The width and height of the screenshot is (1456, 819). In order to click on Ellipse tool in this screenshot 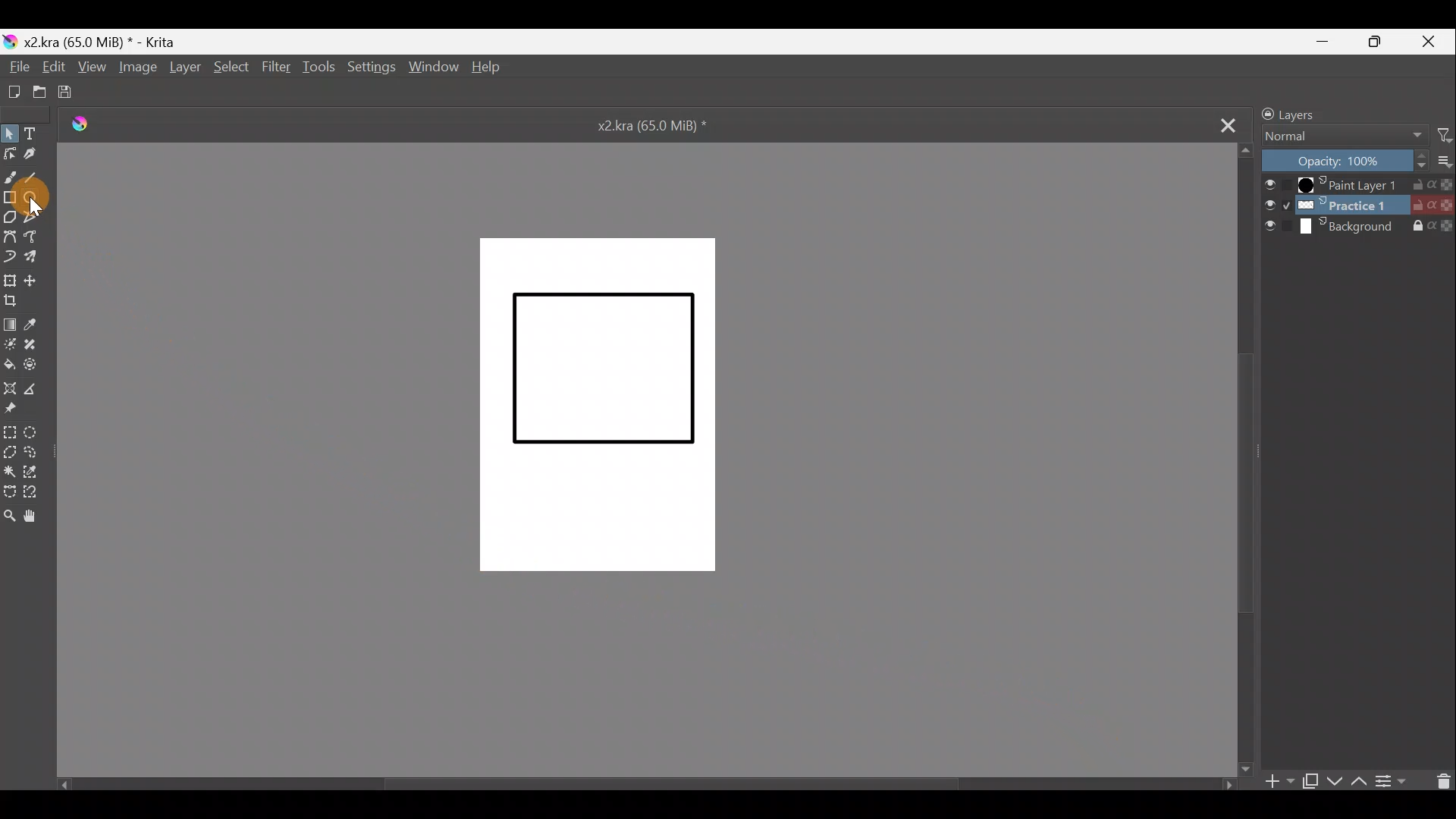, I will do `click(36, 199)`.